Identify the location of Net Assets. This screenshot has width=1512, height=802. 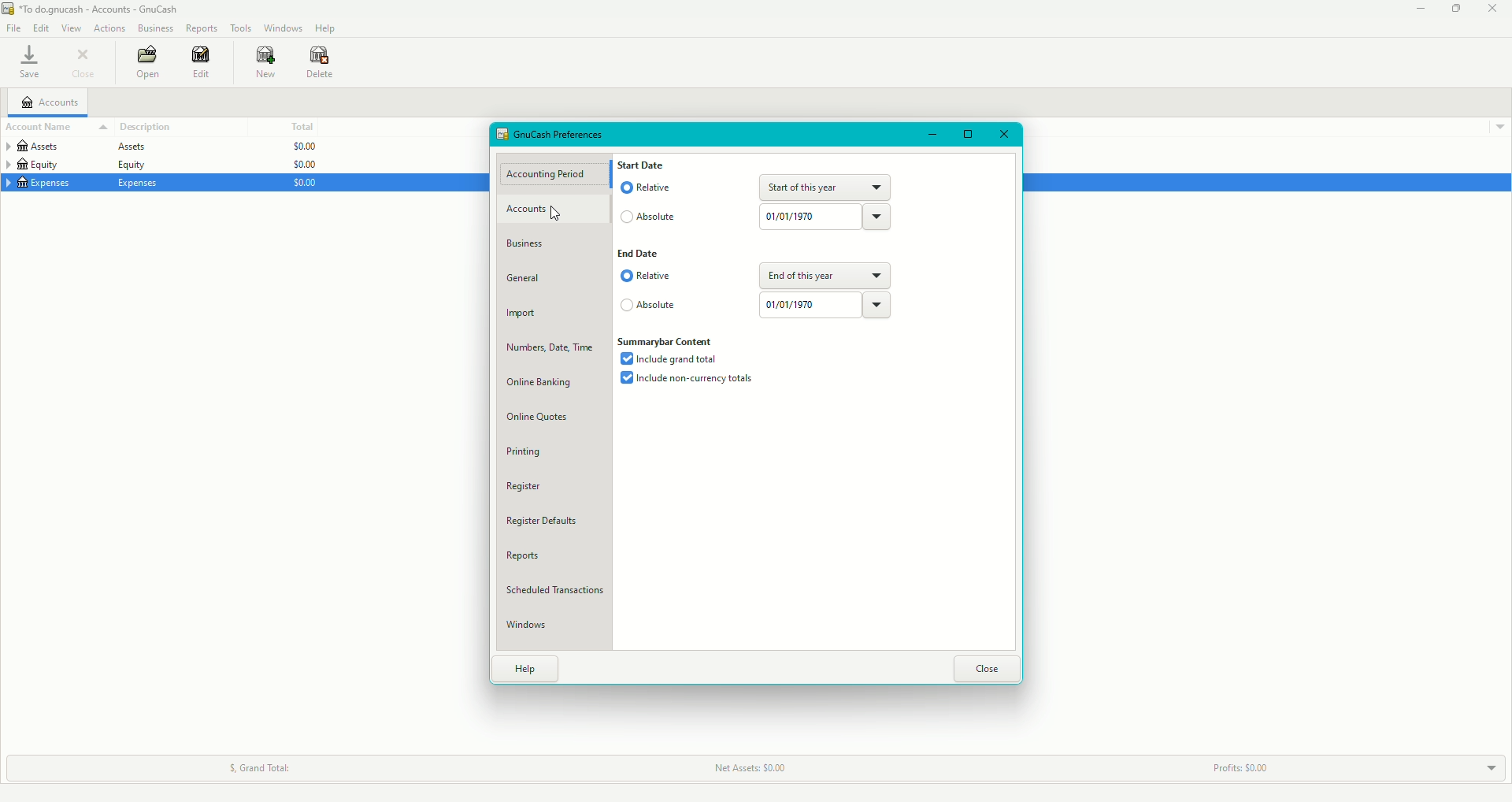
(745, 768).